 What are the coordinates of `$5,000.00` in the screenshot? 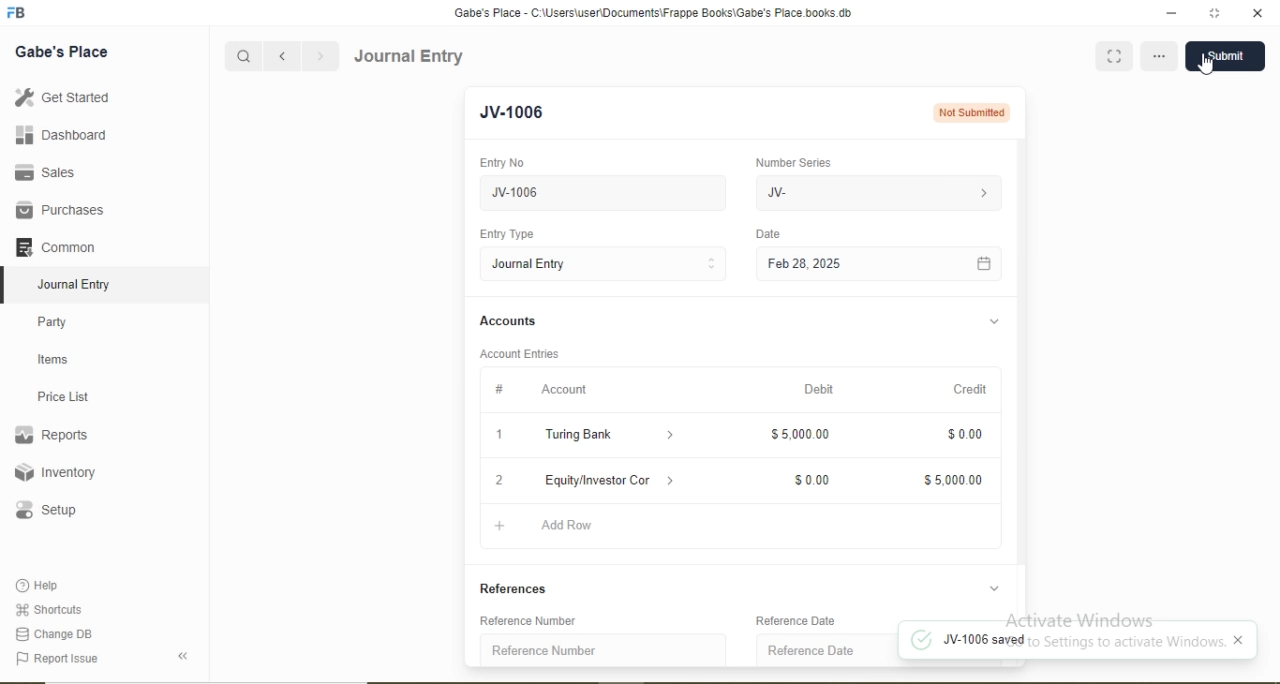 It's located at (800, 433).